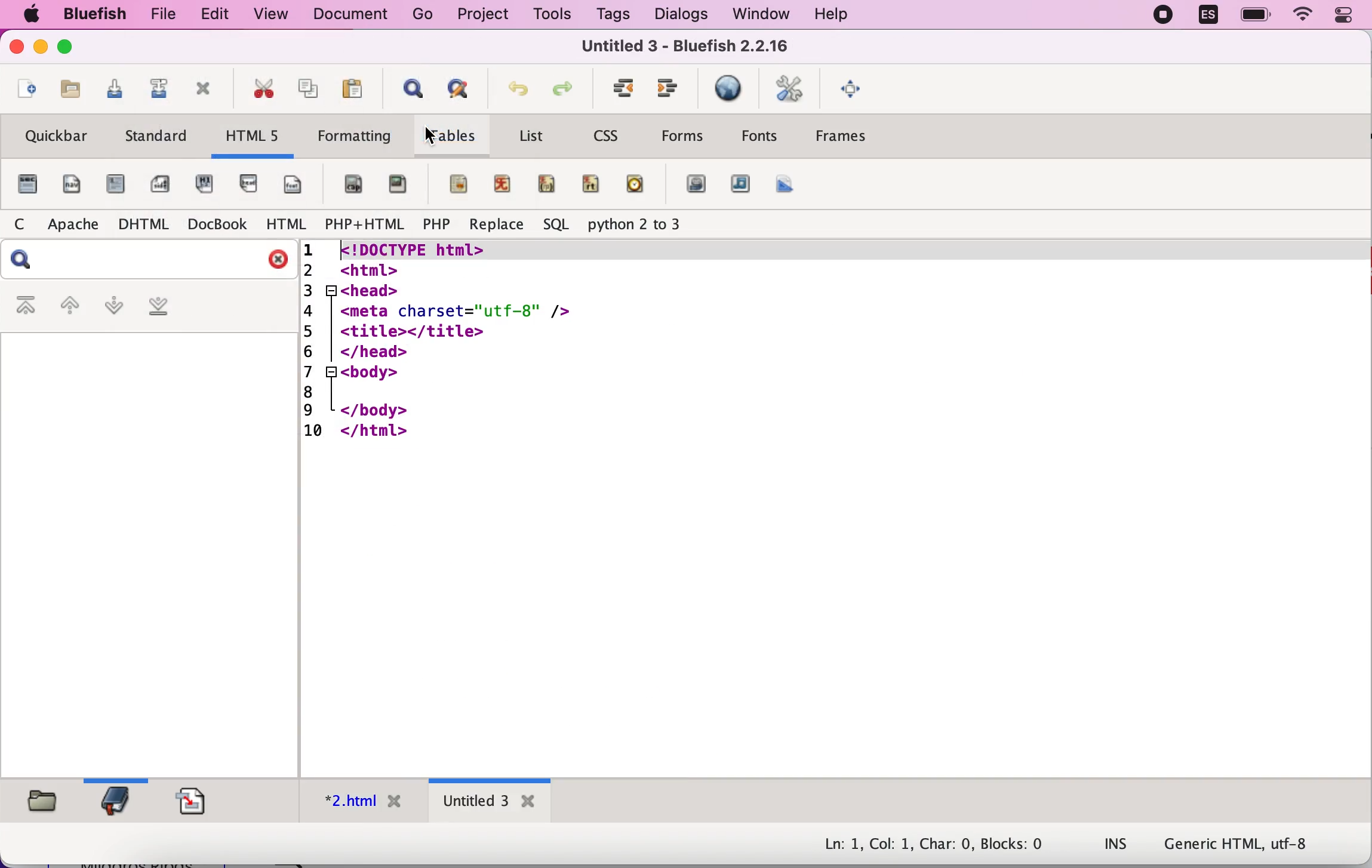 Image resolution: width=1372 pixels, height=868 pixels. Describe the element at coordinates (118, 800) in the screenshot. I see `bookmarks` at that location.